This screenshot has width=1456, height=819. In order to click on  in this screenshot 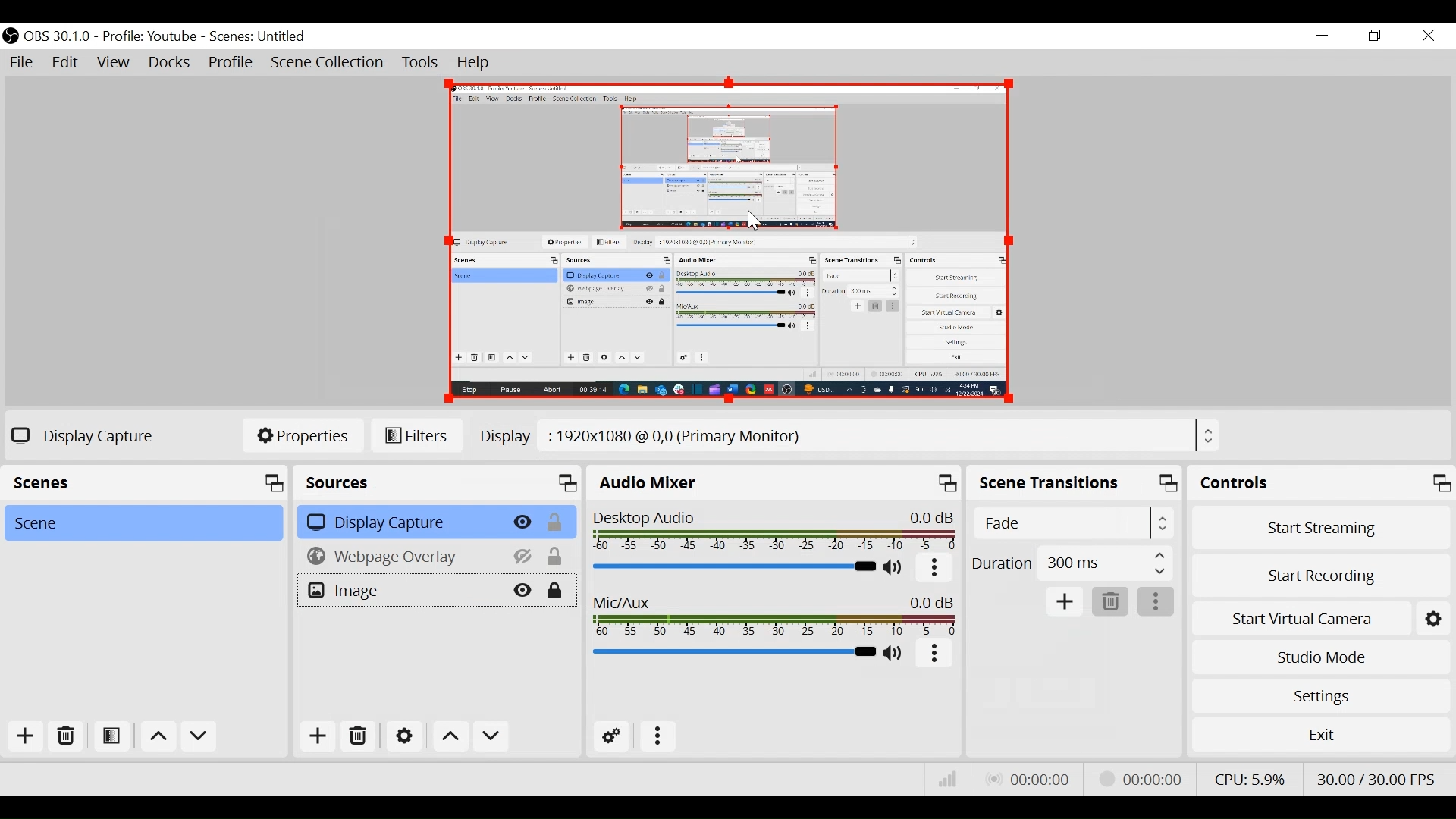, I will do `click(935, 569)`.